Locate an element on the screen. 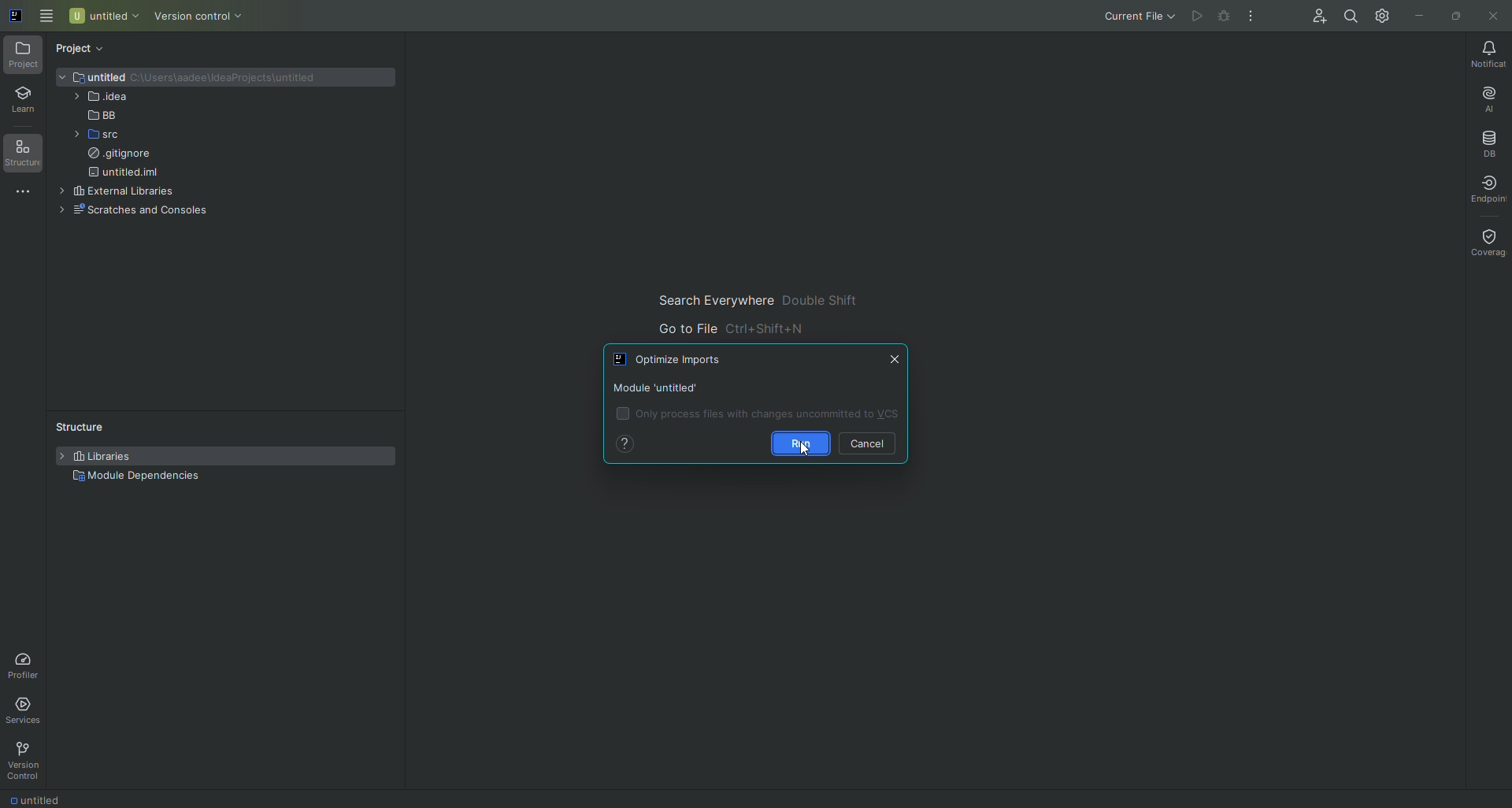 The width and height of the screenshot is (1512, 808). untitled.iml is located at coordinates (128, 173).